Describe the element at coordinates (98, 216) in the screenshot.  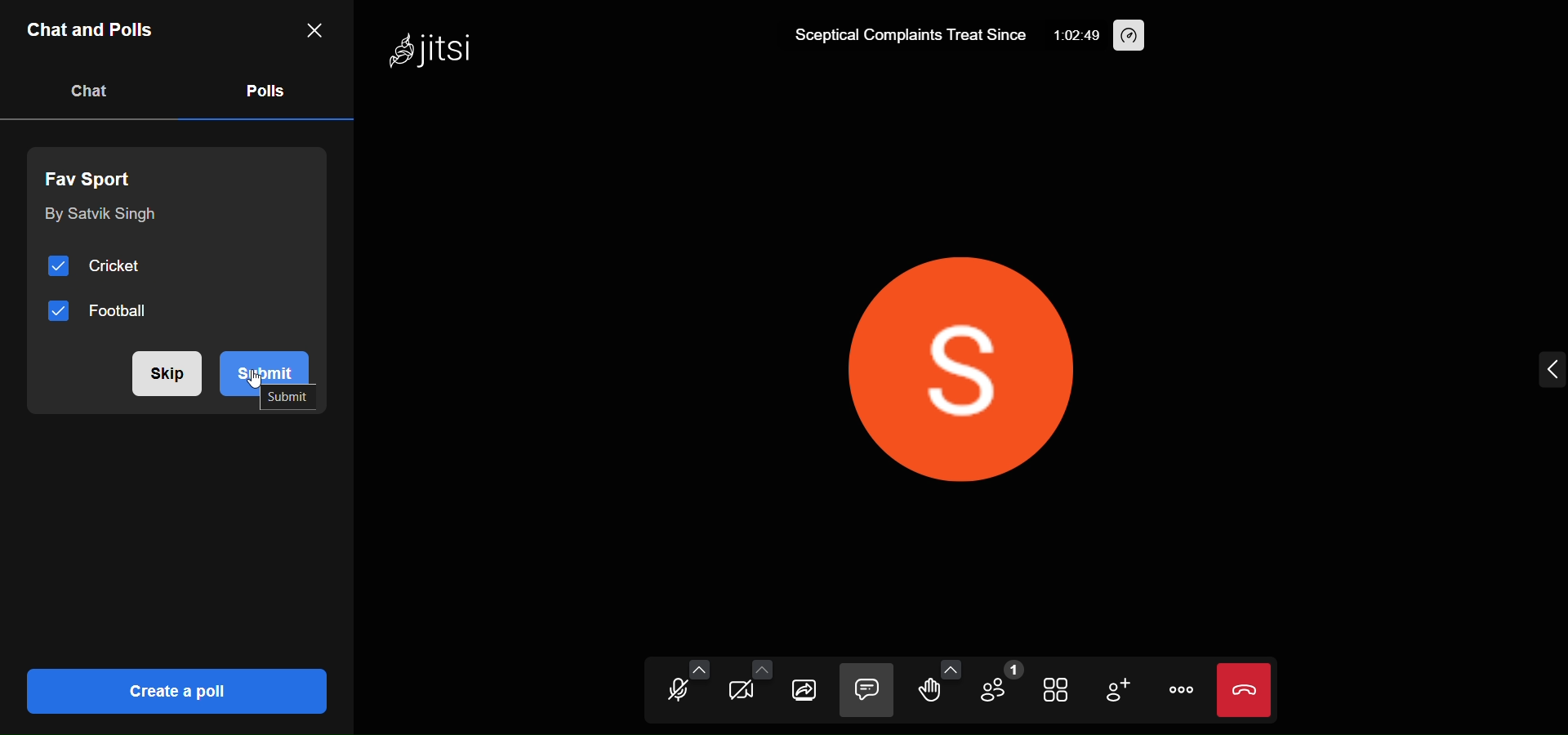
I see `by Satvik SIngh` at that location.